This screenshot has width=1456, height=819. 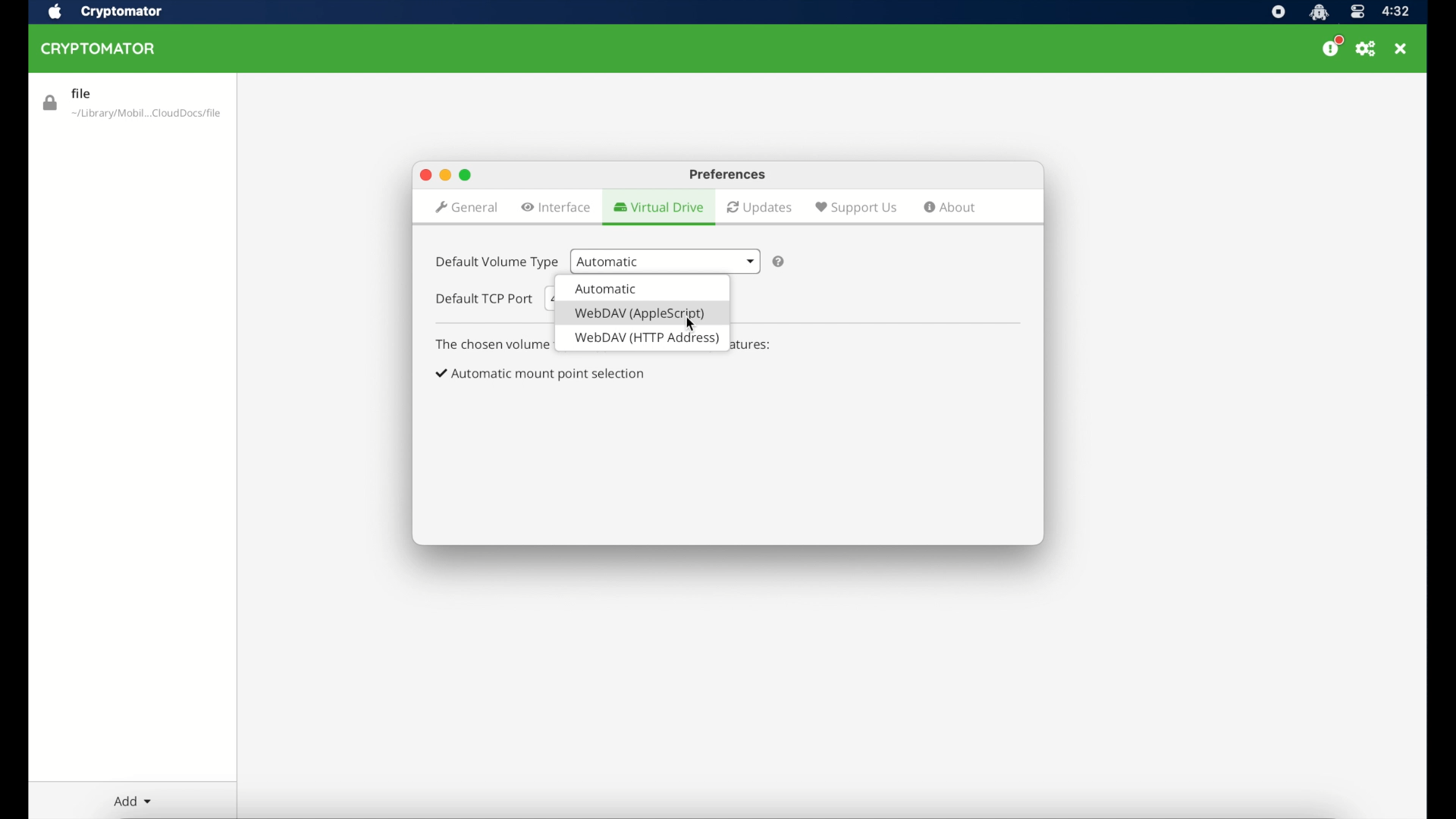 I want to click on close, so click(x=425, y=176).